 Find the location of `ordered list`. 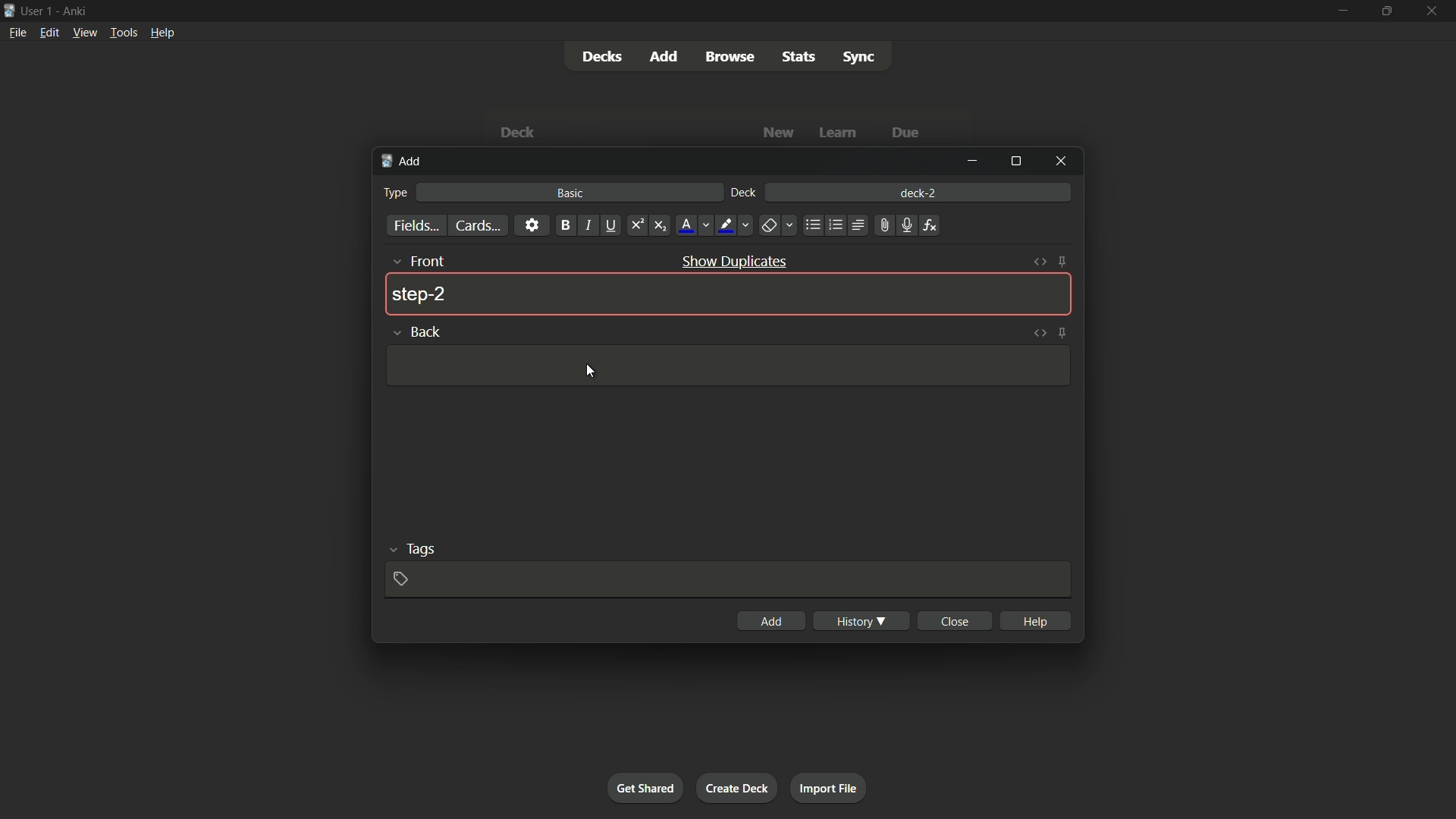

ordered list is located at coordinates (833, 226).